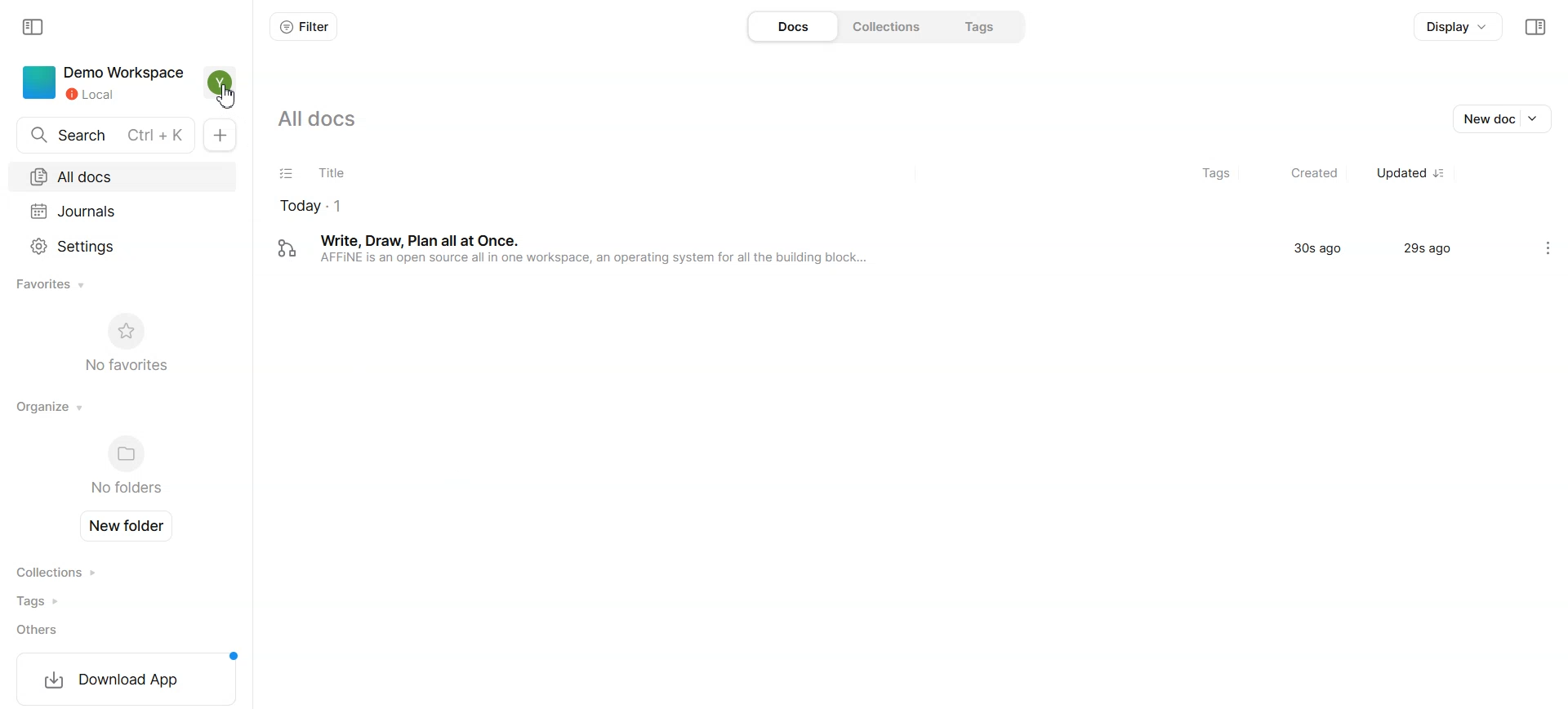 The height and width of the screenshot is (709, 1568). What do you see at coordinates (64, 573) in the screenshot?
I see `Collections` at bounding box center [64, 573].